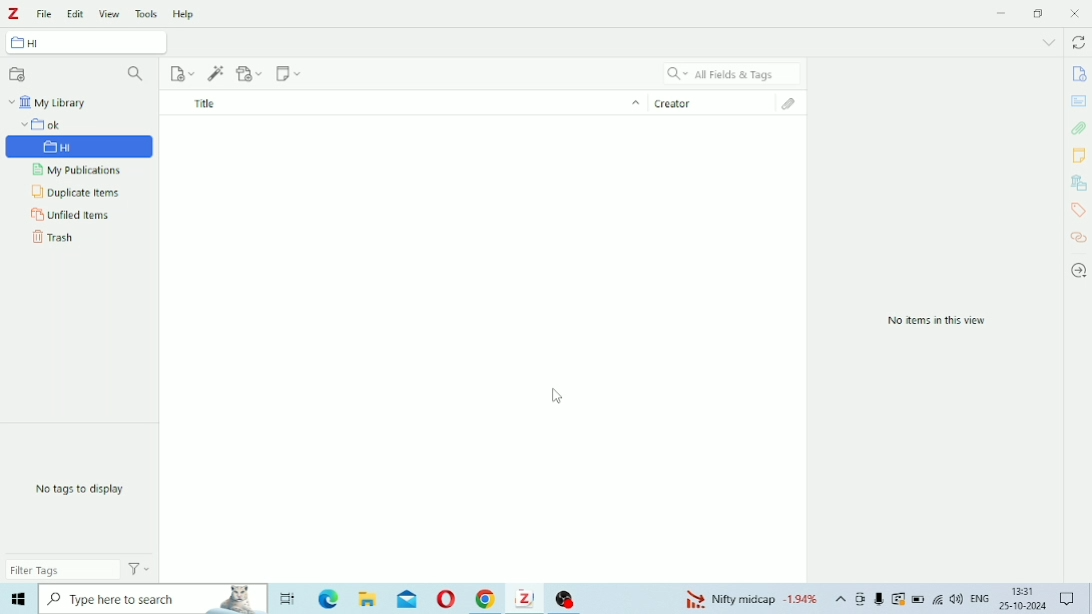 The width and height of the screenshot is (1092, 614). I want to click on 25-10-2024, so click(1023, 606).